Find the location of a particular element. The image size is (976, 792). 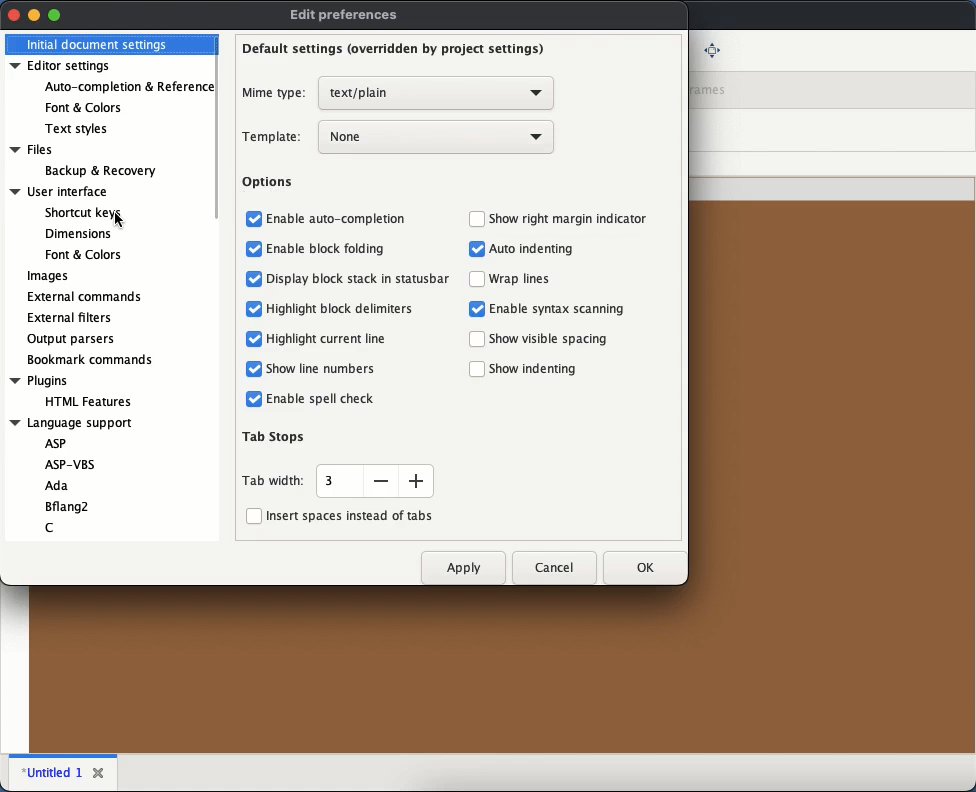

tab stops is located at coordinates (276, 437).